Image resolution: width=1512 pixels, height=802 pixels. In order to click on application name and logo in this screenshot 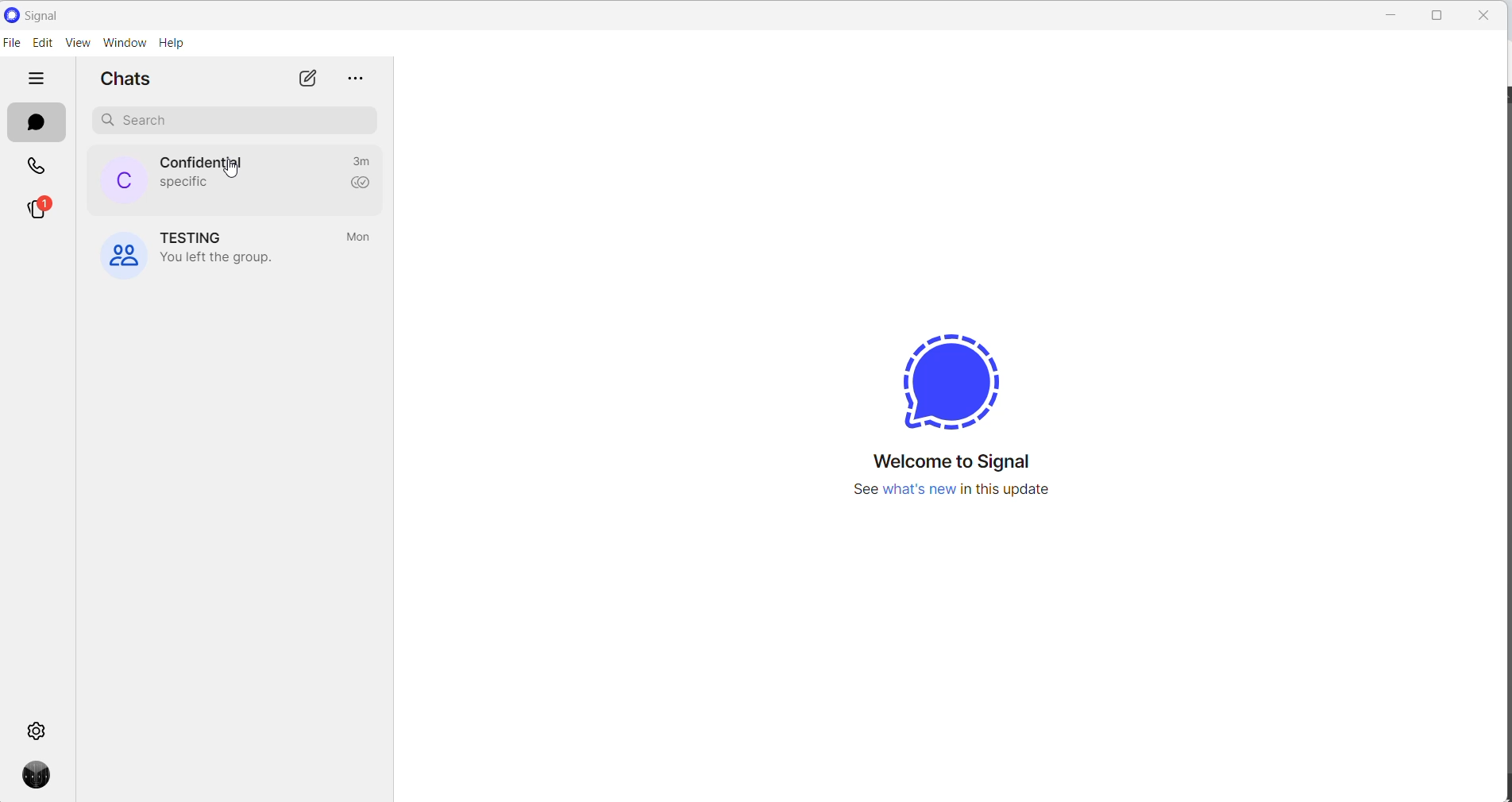, I will do `click(43, 13)`.